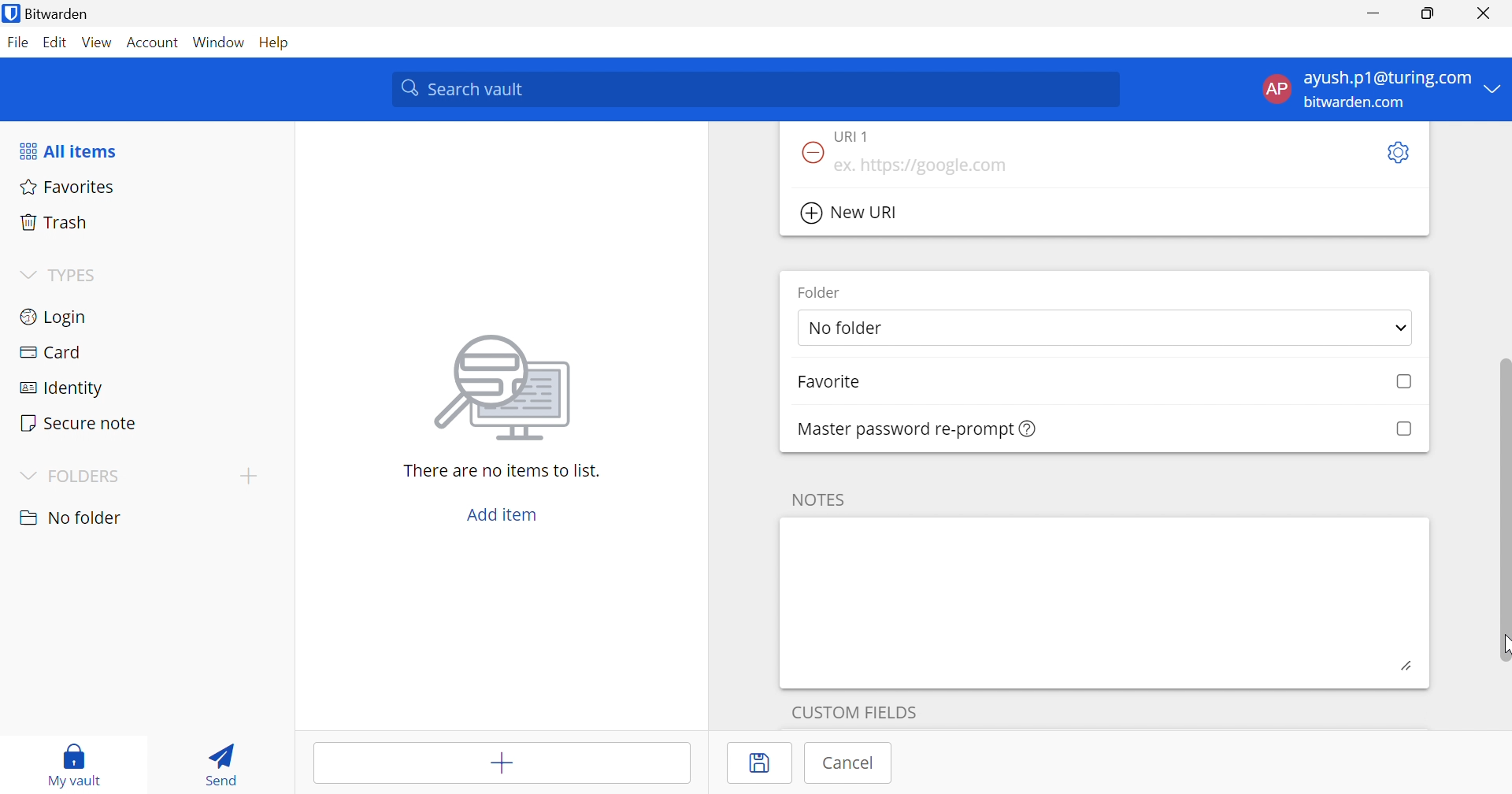  Describe the element at coordinates (87, 477) in the screenshot. I see `FOLDERS` at that location.